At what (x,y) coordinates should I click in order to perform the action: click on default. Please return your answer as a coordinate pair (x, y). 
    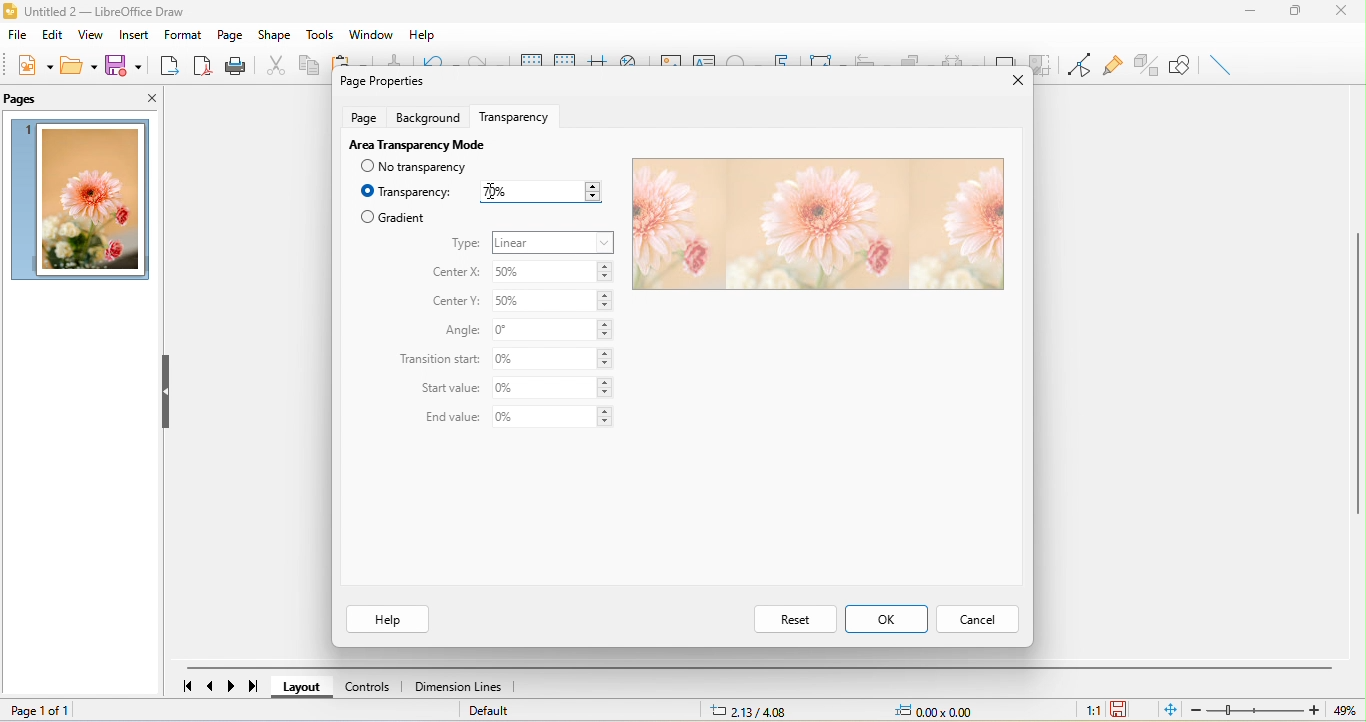
    Looking at the image, I should click on (491, 711).